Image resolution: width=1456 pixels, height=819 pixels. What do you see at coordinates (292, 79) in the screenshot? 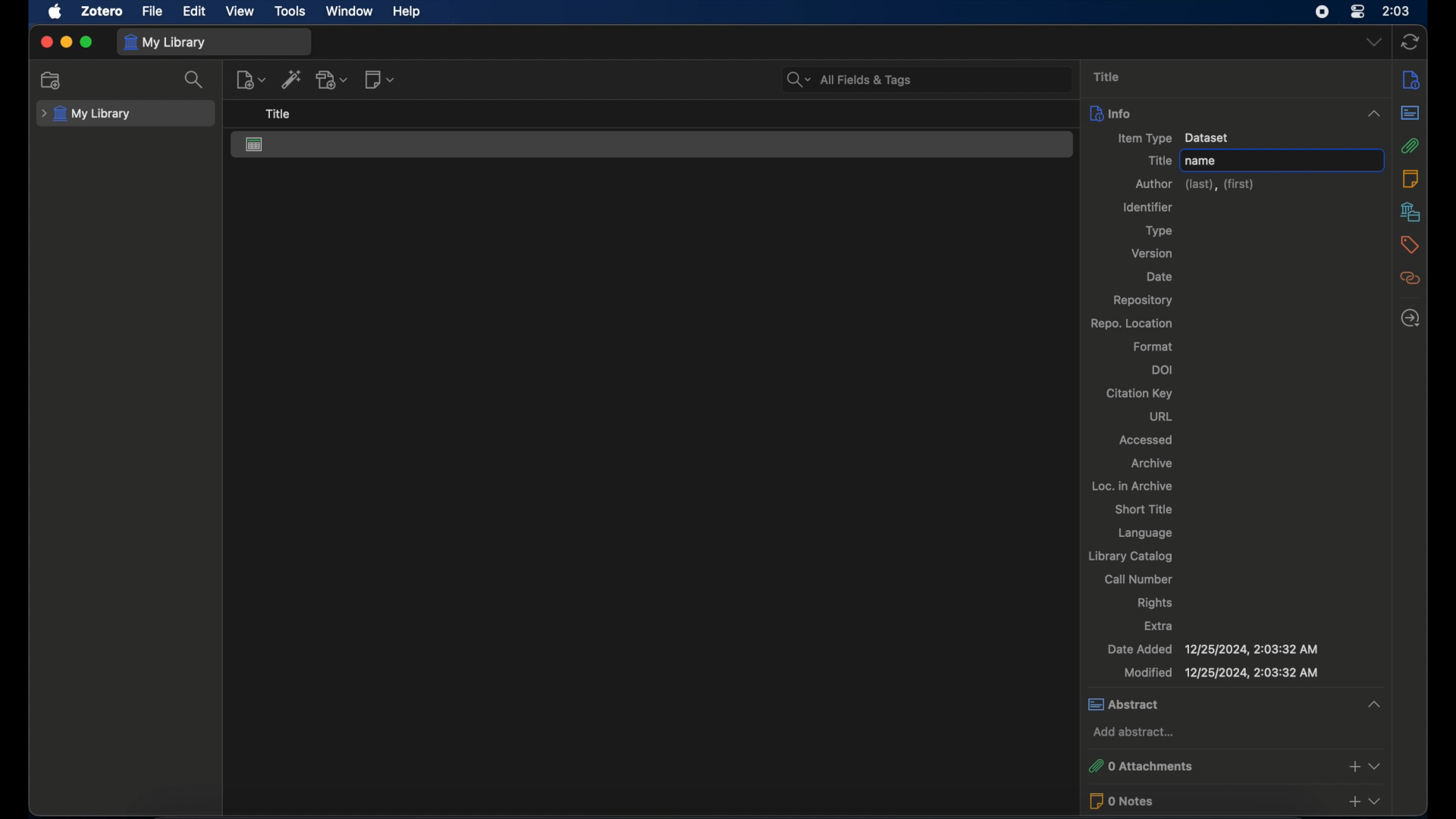
I see `add item by identifier` at bounding box center [292, 79].